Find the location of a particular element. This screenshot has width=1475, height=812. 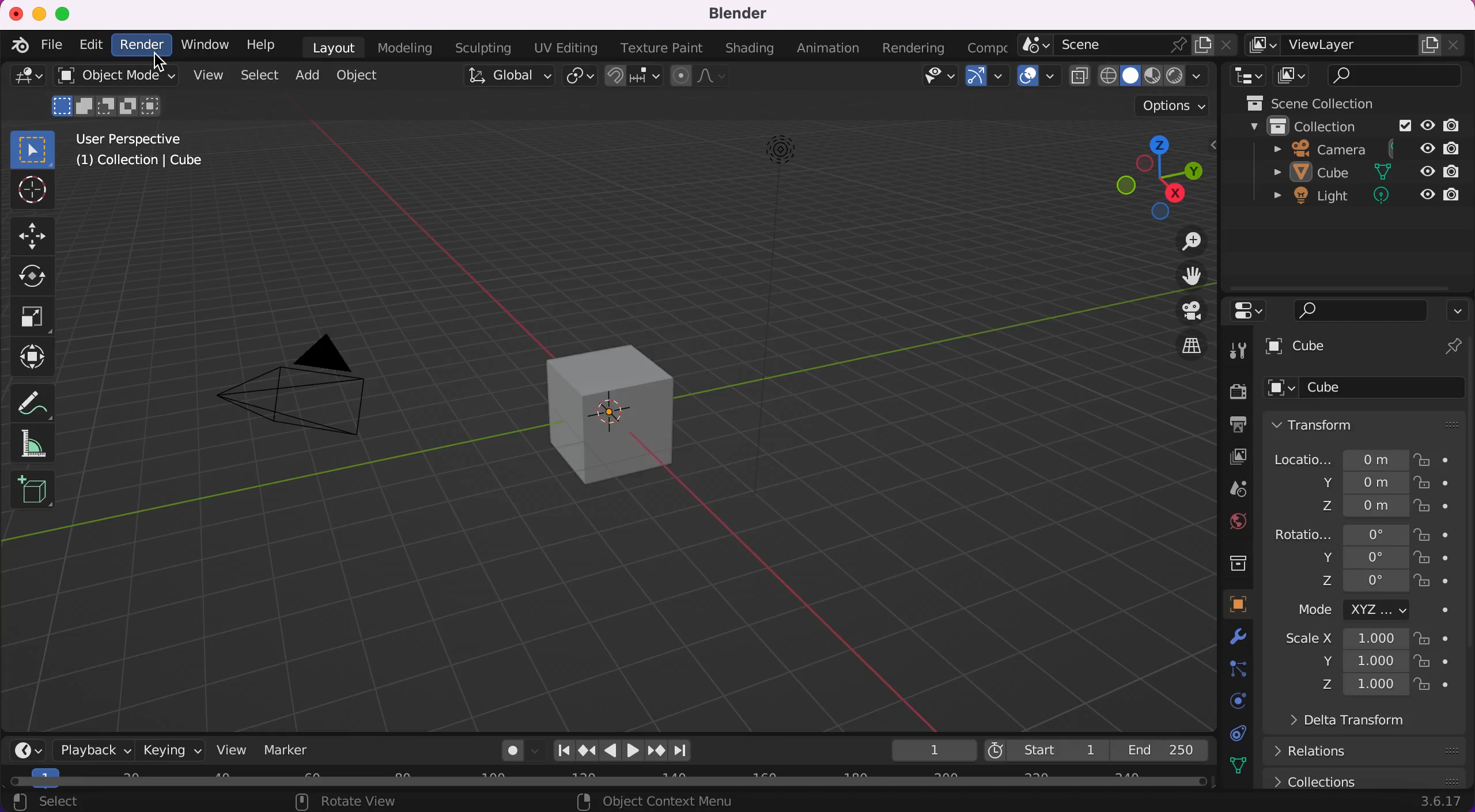

scale x 1.000 is located at coordinates (1344, 639).